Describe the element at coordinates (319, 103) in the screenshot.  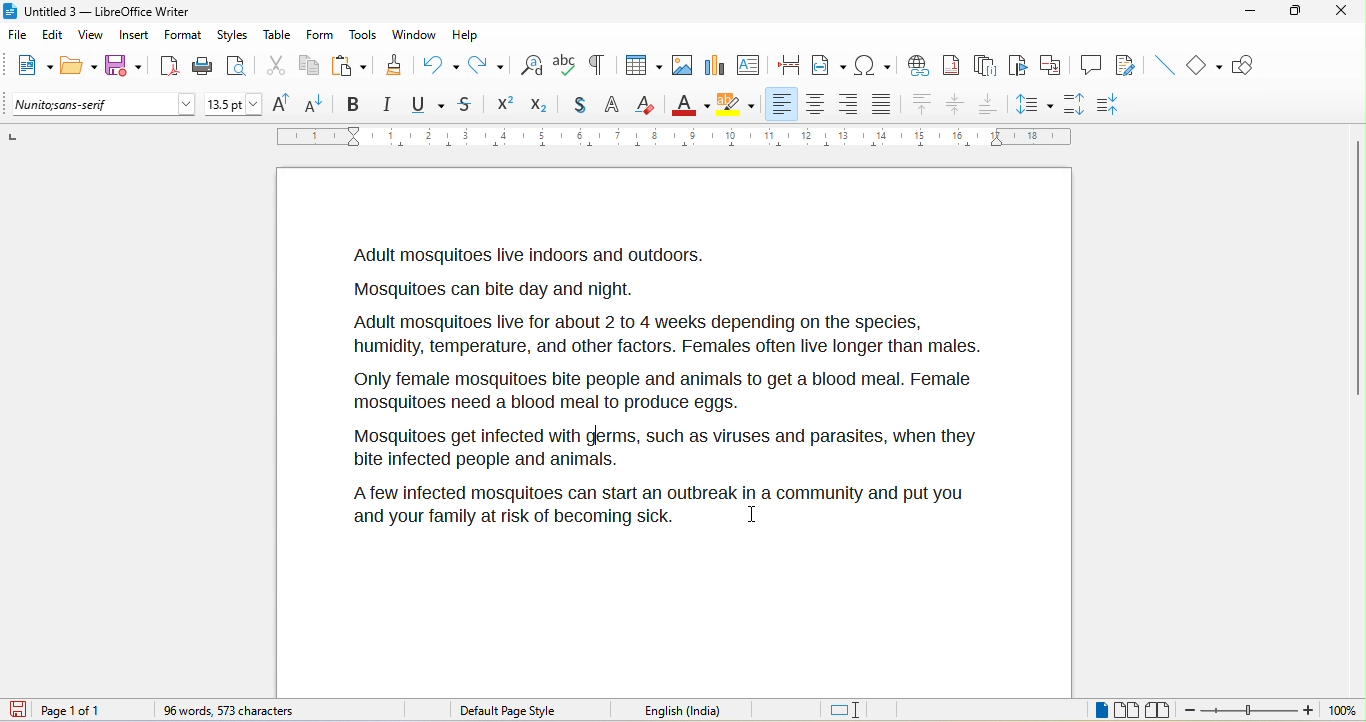
I see `decrease size` at that location.